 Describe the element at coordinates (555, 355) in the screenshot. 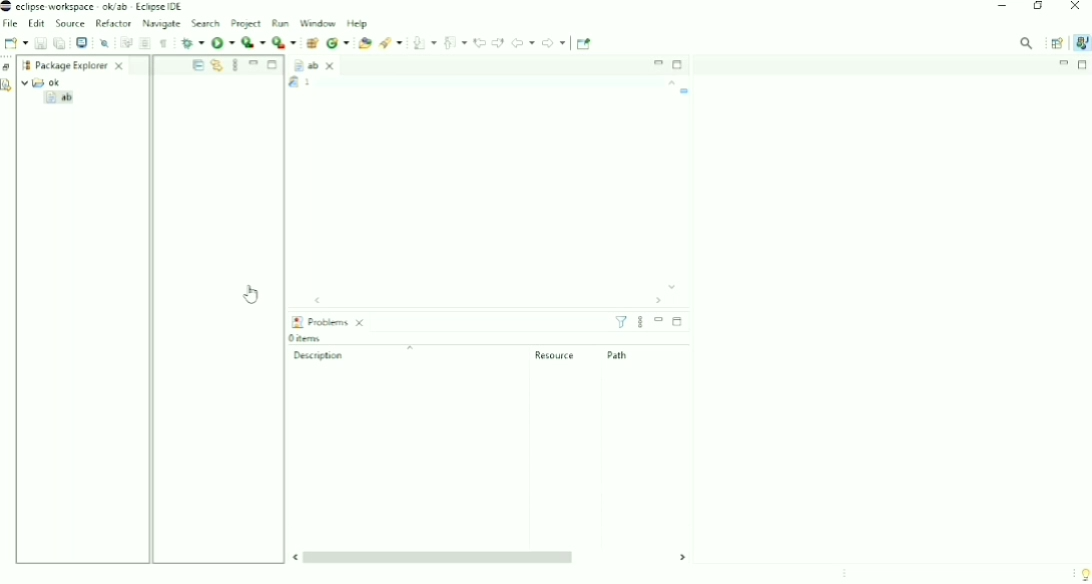

I see `Resource` at that location.